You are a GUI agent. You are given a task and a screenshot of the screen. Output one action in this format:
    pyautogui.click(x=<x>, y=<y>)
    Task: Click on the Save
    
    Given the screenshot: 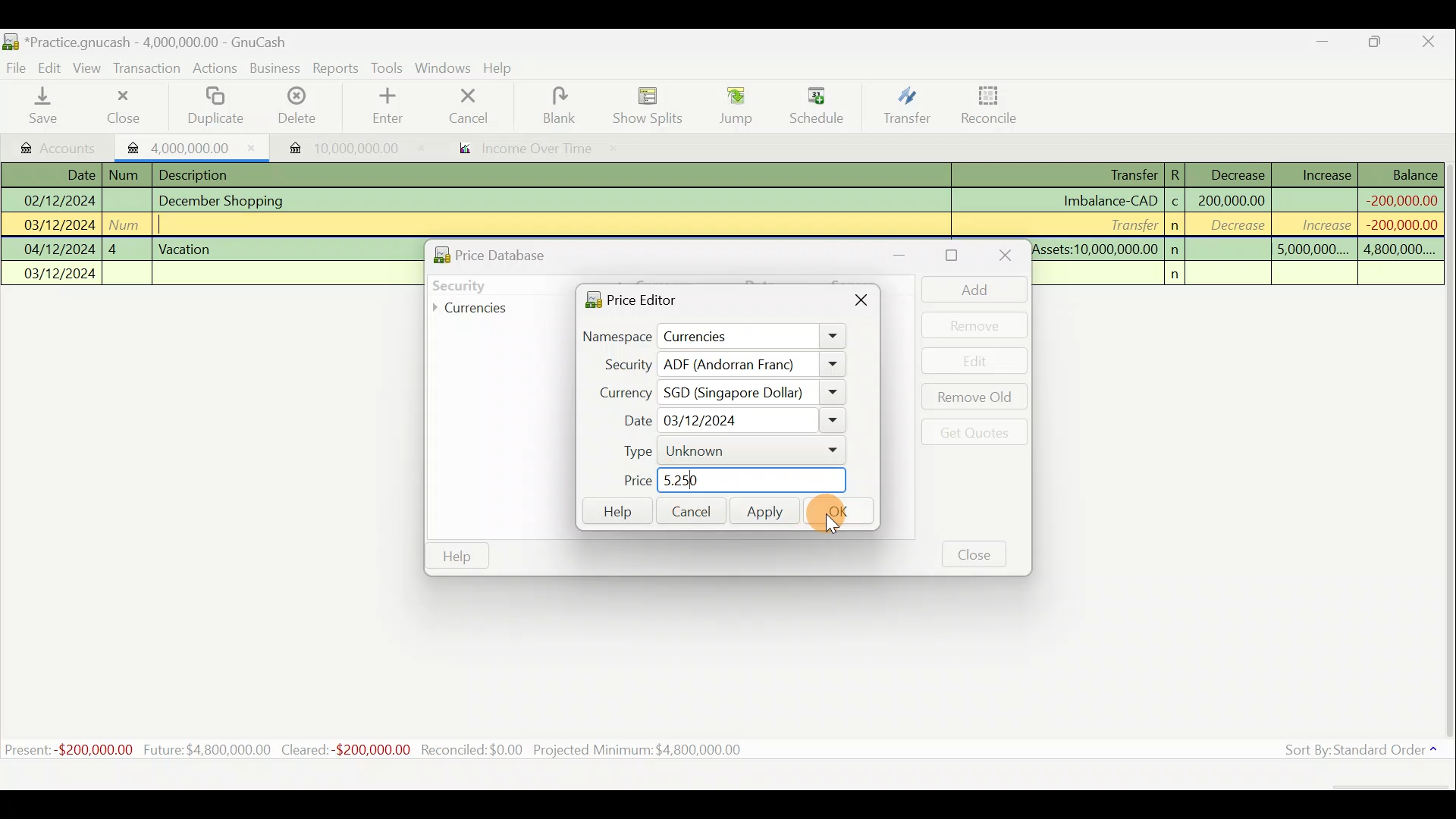 What is the action you would take?
    pyautogui.click(x=46, y=107)
    